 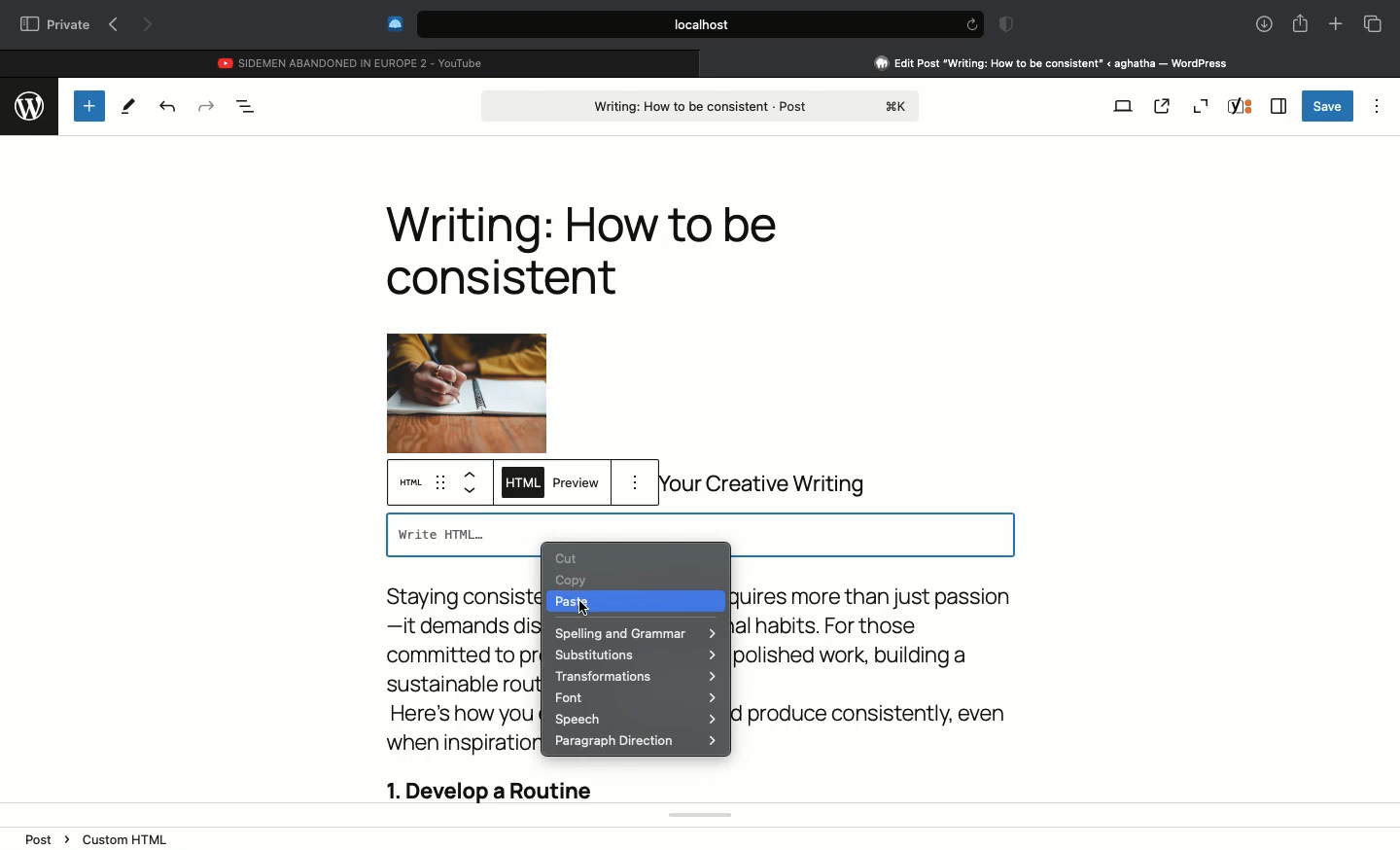 I want to click on refresh, so click(x=970, y=24).